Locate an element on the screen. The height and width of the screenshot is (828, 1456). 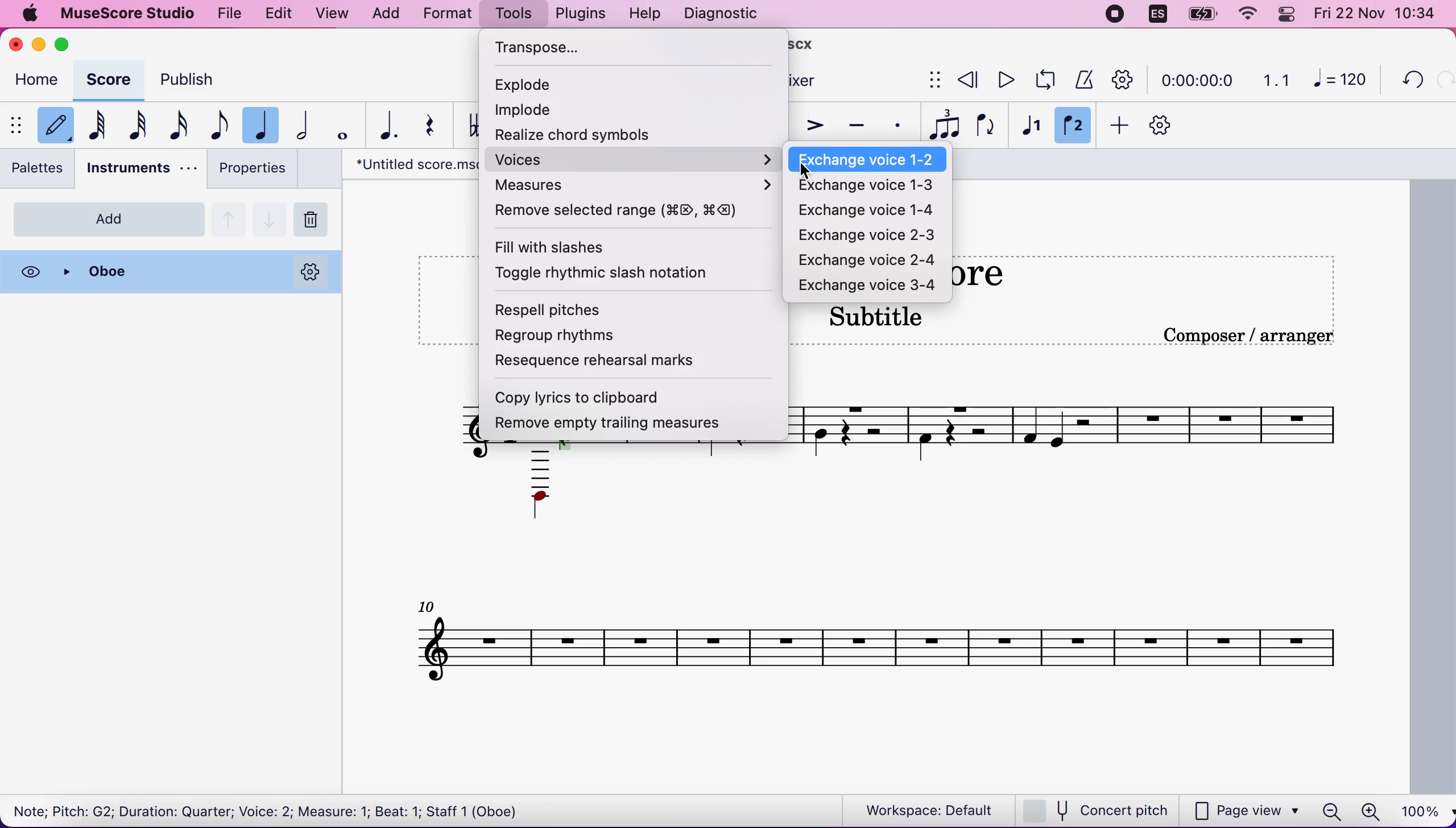
add is located at coordinates (390, 14).